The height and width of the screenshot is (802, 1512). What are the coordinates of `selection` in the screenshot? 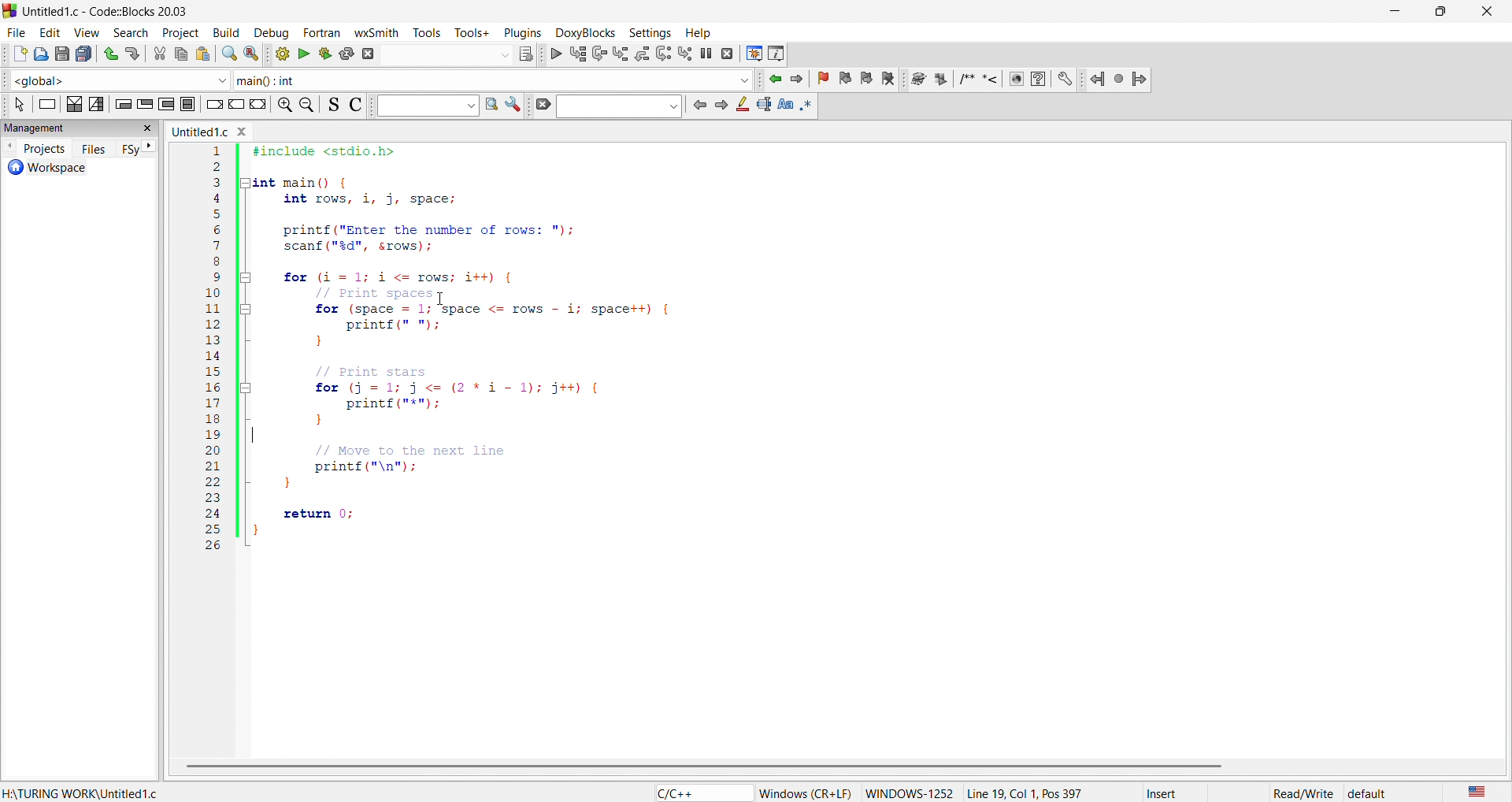 It's located at (94, 104).